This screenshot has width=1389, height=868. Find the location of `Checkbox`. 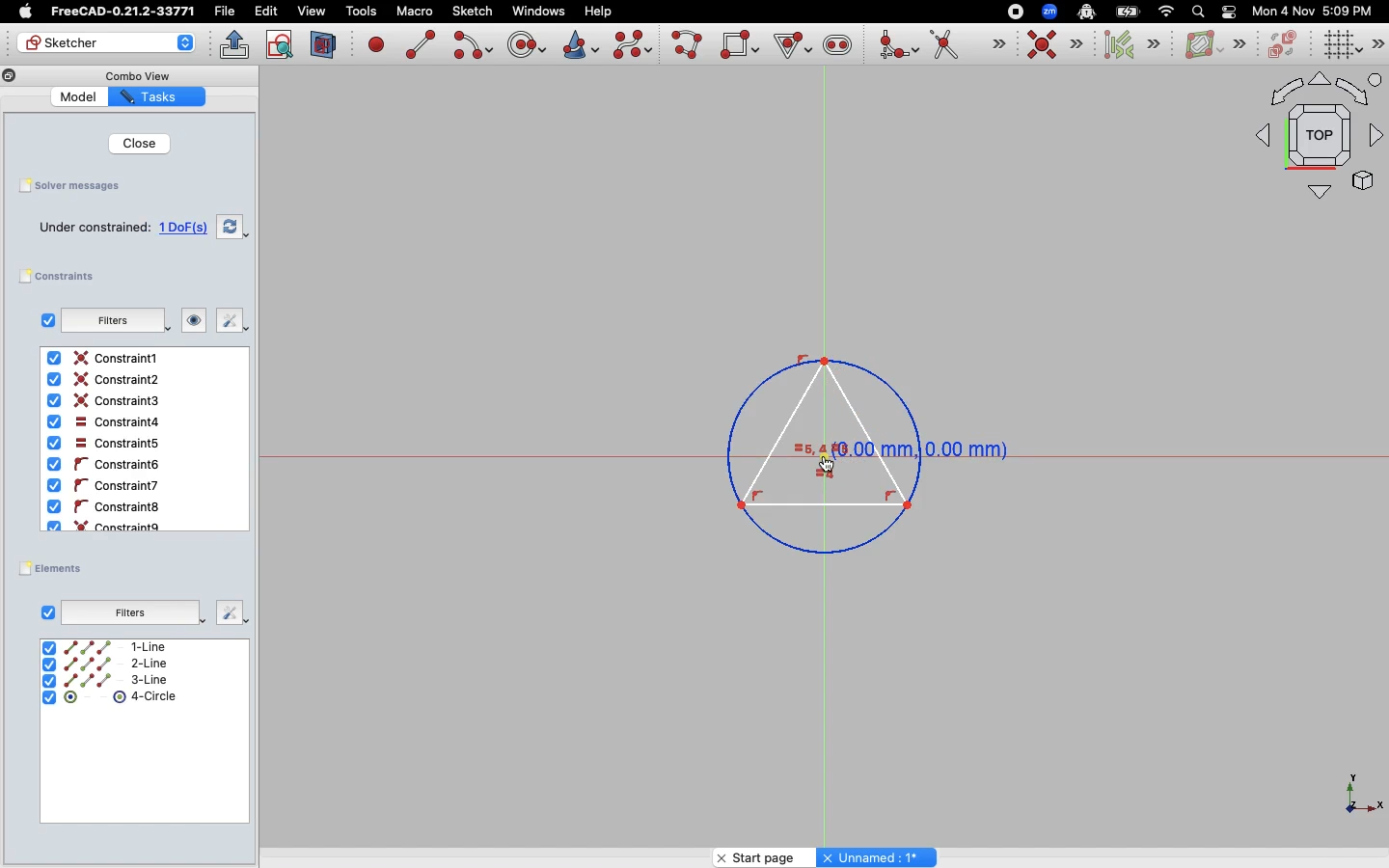

Checkbox is located at coordinates (48, 611).